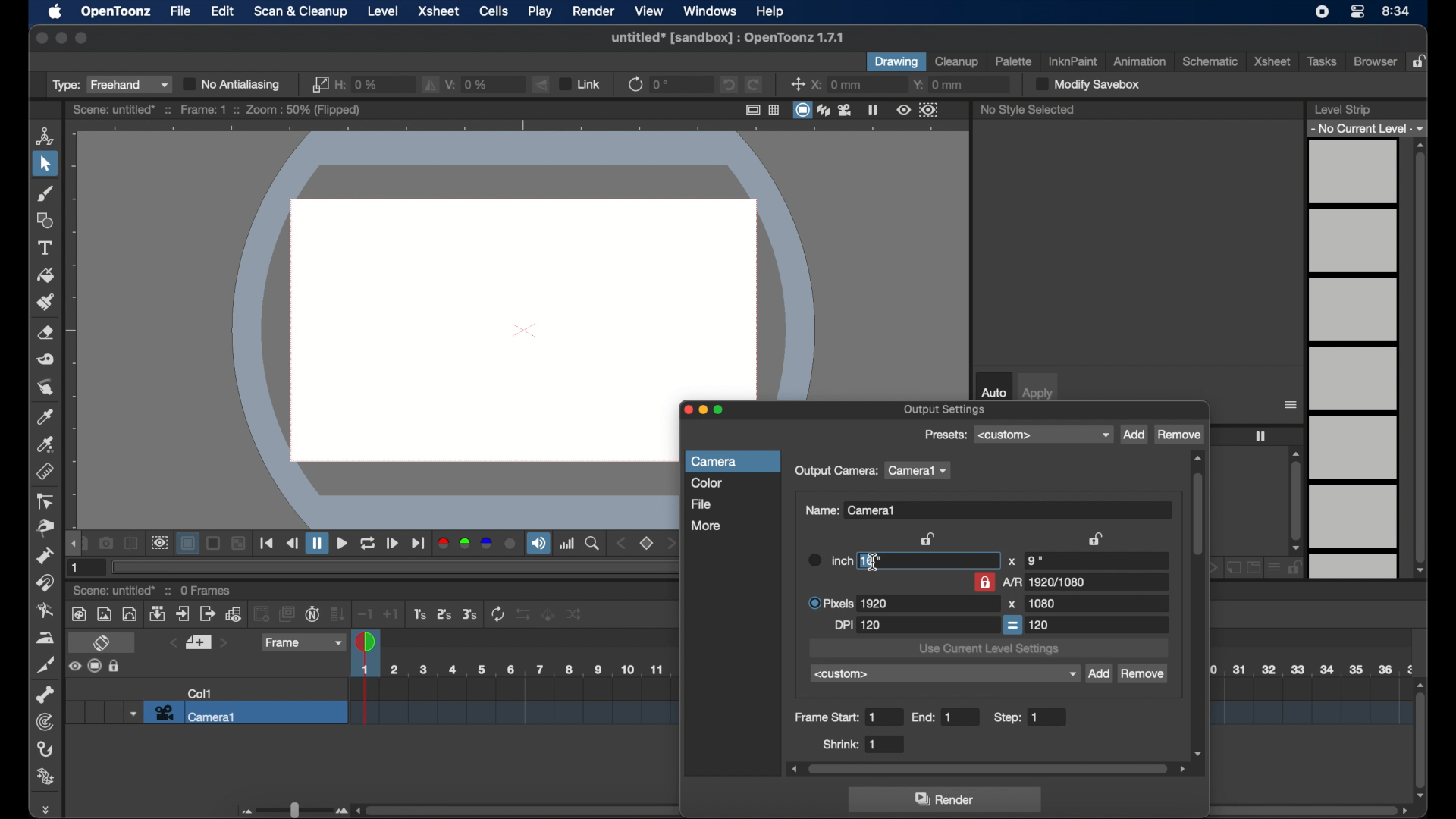 The height and width of the screenshot is (819, 1456). I want to click on 120, so click(1040, 624).